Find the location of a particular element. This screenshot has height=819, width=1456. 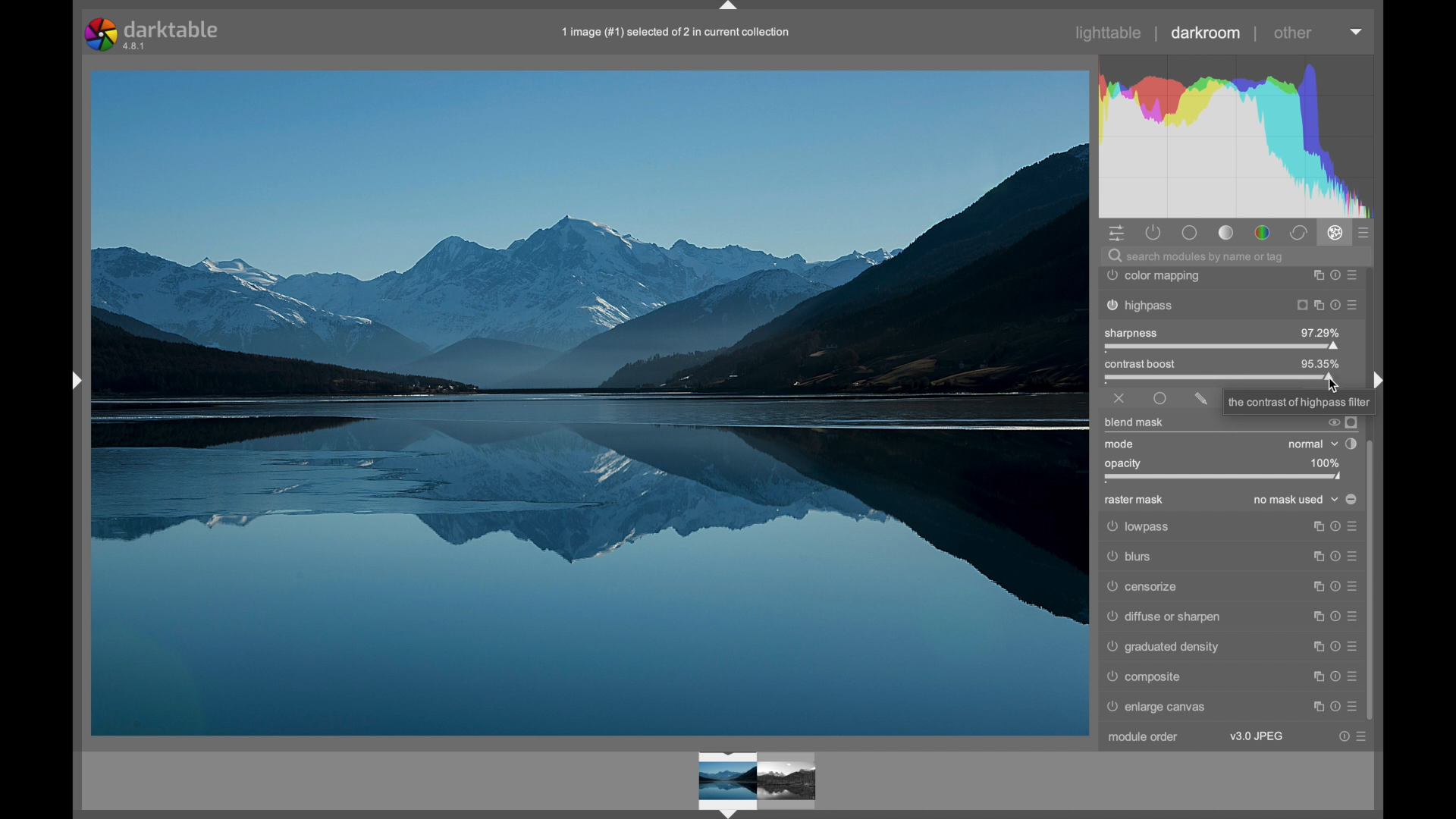

95.35% is located at coordinates (1323, 362).